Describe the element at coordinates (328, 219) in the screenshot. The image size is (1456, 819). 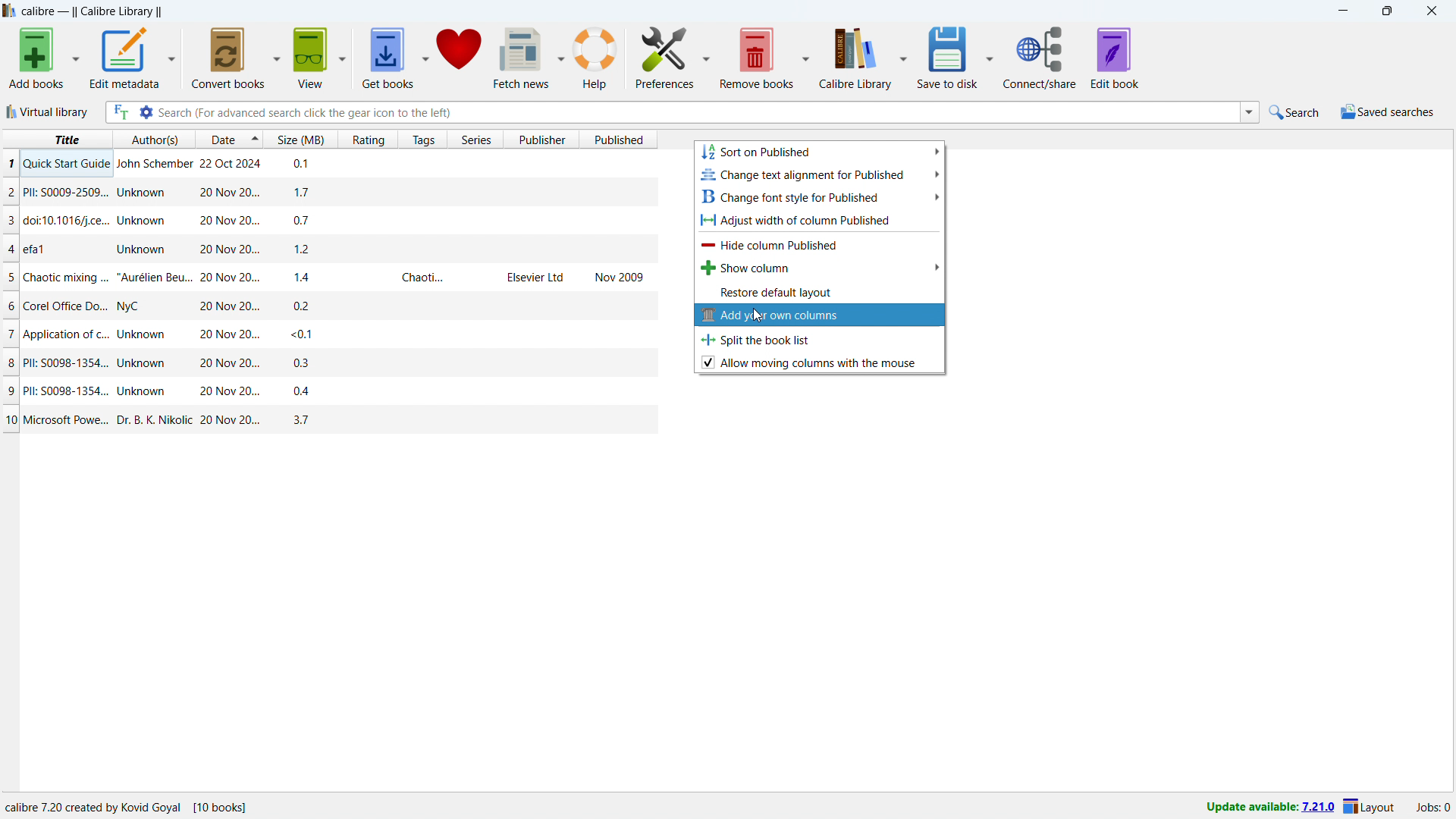
I see `3 | doi:10.1016/j.ce... Unknown 20 Nov 20... 07` at that location.